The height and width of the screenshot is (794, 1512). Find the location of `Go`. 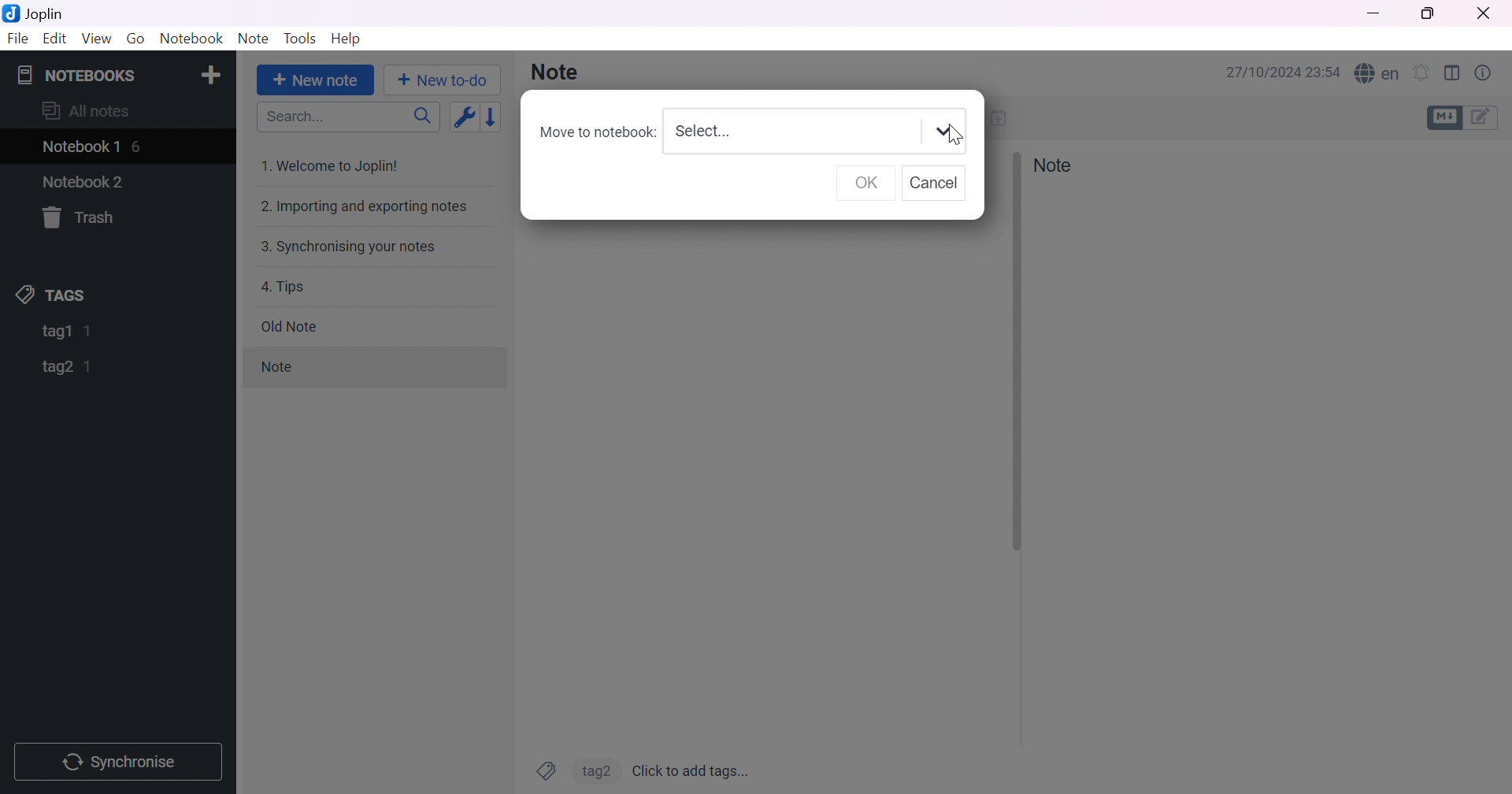

Go is located at coordinates (136, 42).